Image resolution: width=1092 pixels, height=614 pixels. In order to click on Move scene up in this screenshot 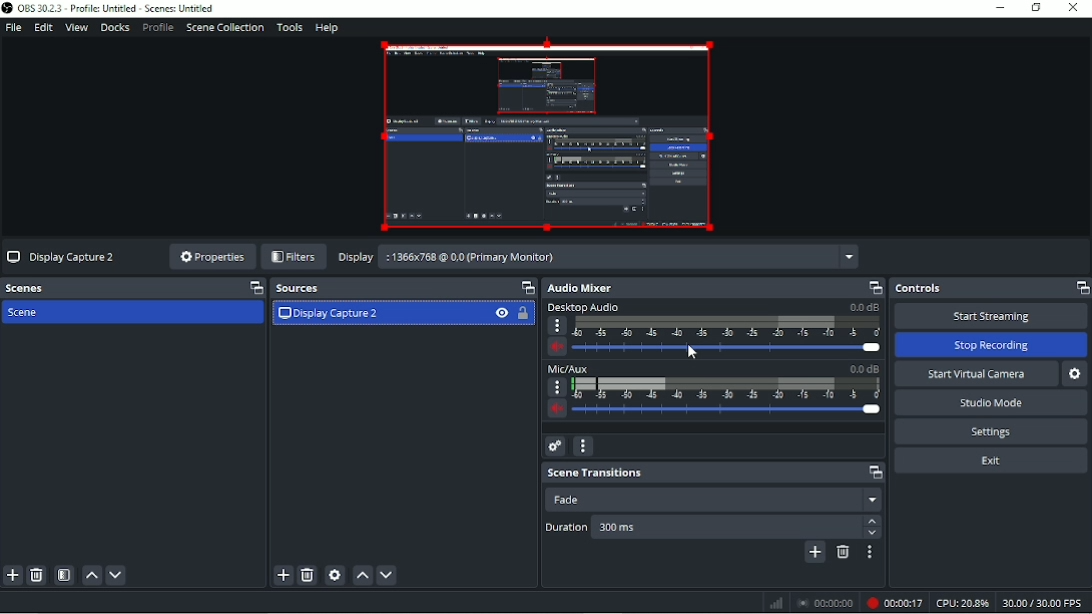, I will do `click(93, 576)`.